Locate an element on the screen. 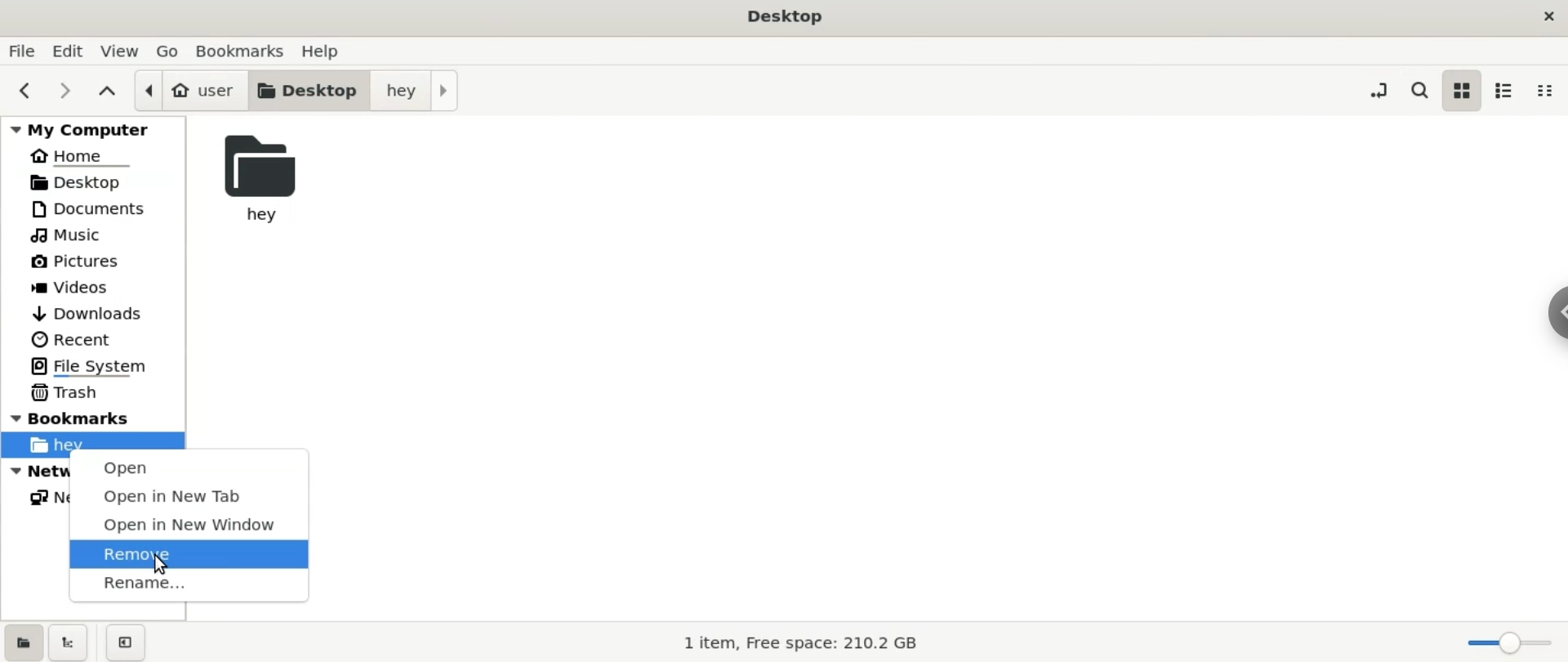 This screenshot has height=662, width=1568. chrome options is located at coordinates (1552, 314).